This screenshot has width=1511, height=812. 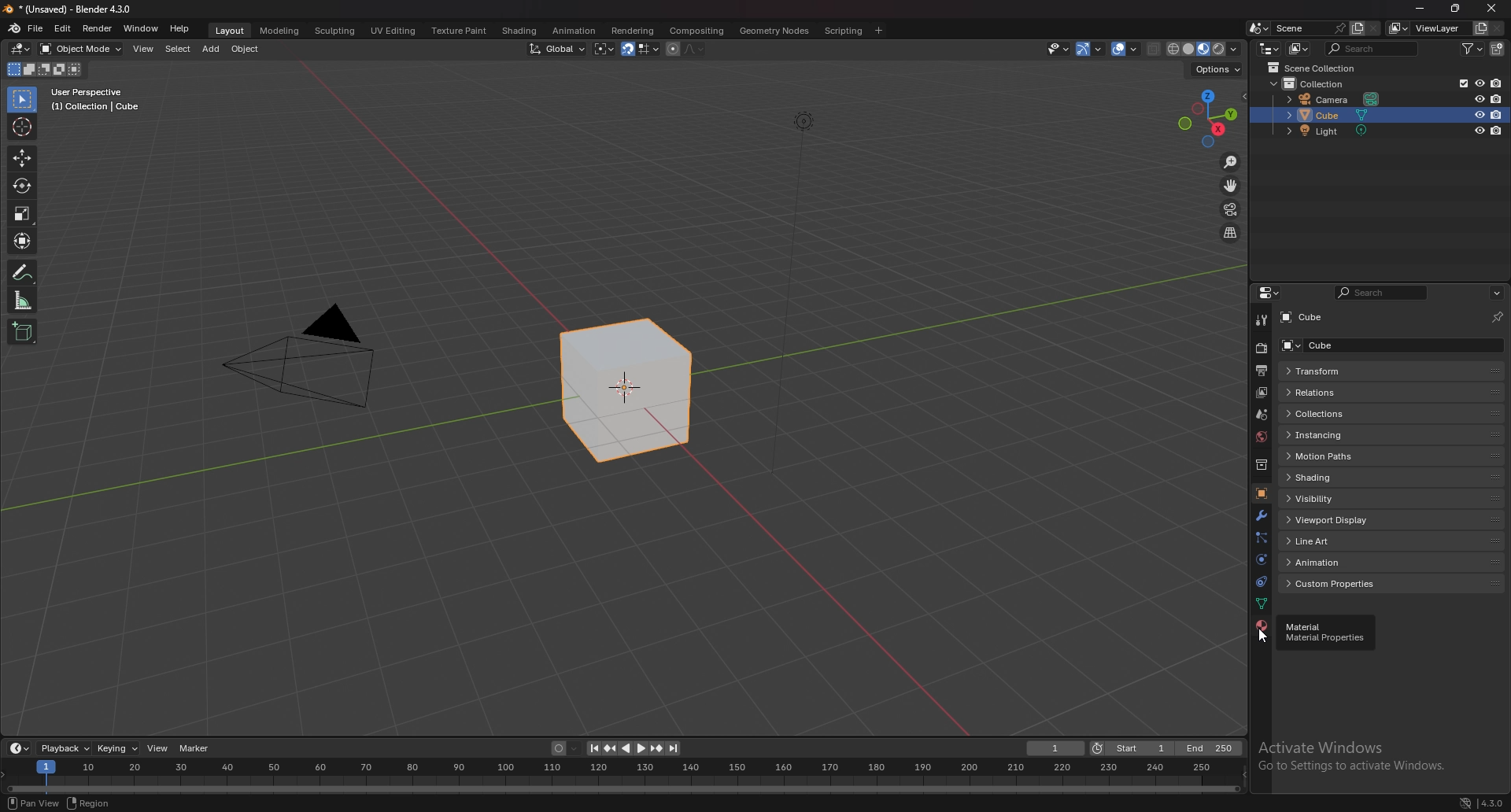 What do you see at coordinates (1230, 210) in the screenshot?
I see `camera view` at bounding box center [1230, 210].